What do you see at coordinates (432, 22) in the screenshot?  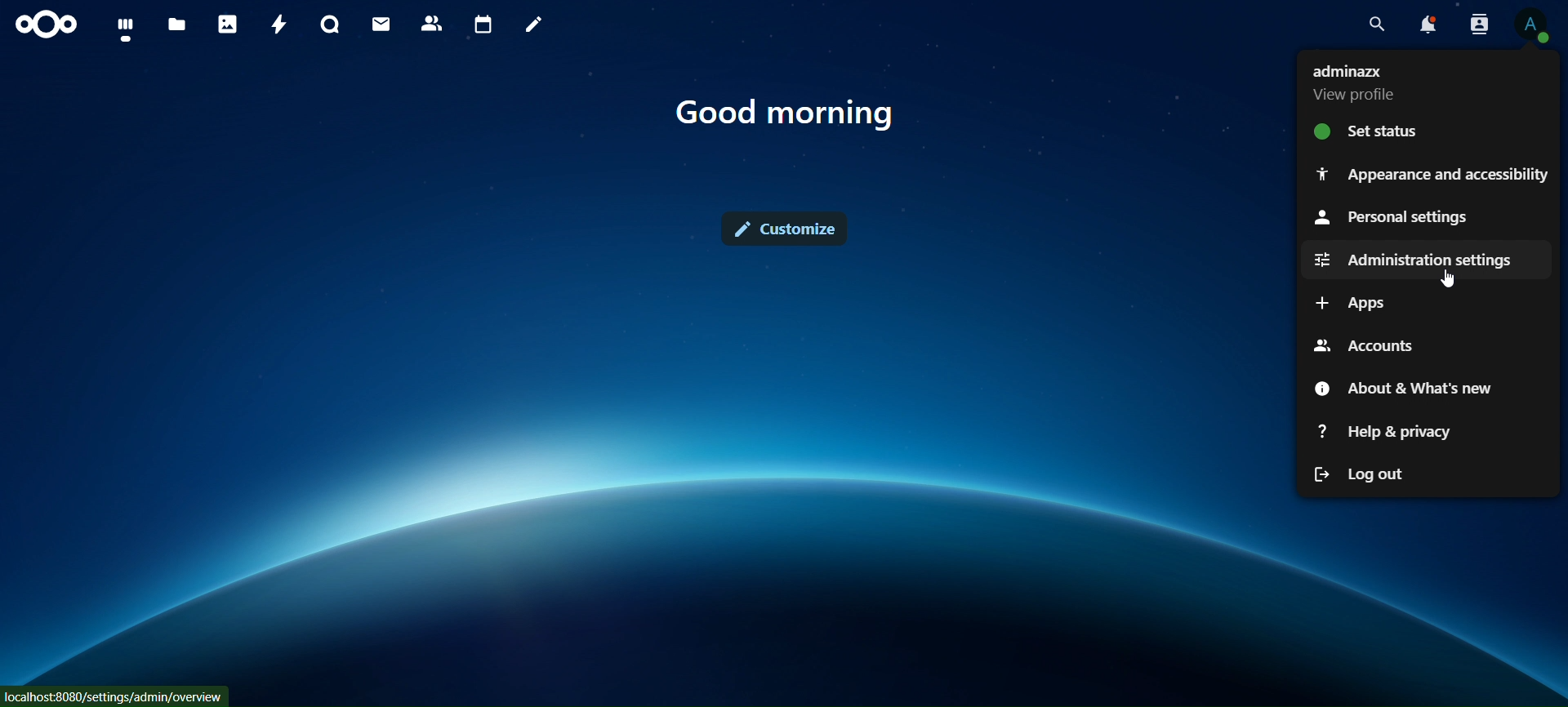 I see `contact` at bounding box center [432, 22].